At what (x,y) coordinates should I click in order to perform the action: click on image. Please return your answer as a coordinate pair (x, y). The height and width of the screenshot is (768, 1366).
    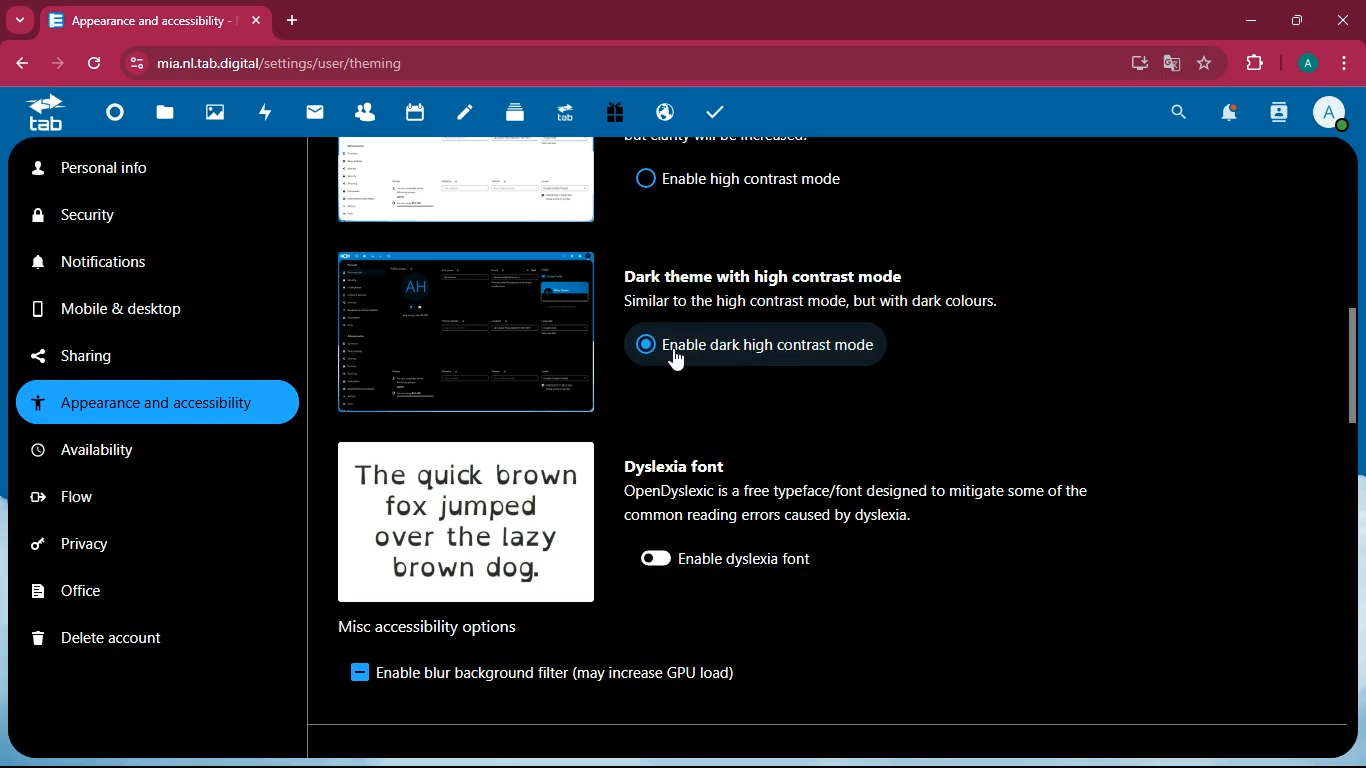
    Looking at the image, I should click on (458, 333).